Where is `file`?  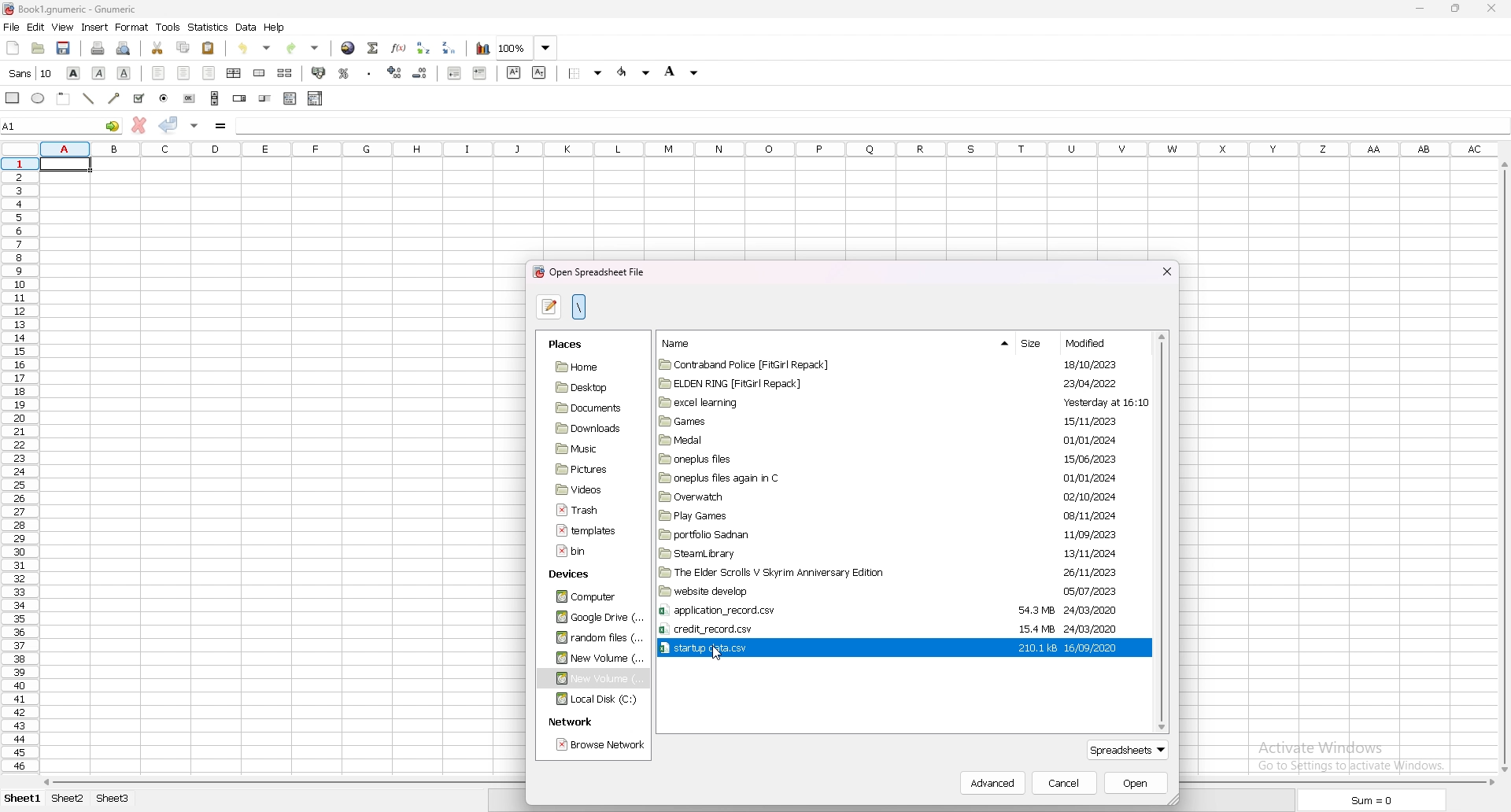 file is located at coordinates (11, 27).